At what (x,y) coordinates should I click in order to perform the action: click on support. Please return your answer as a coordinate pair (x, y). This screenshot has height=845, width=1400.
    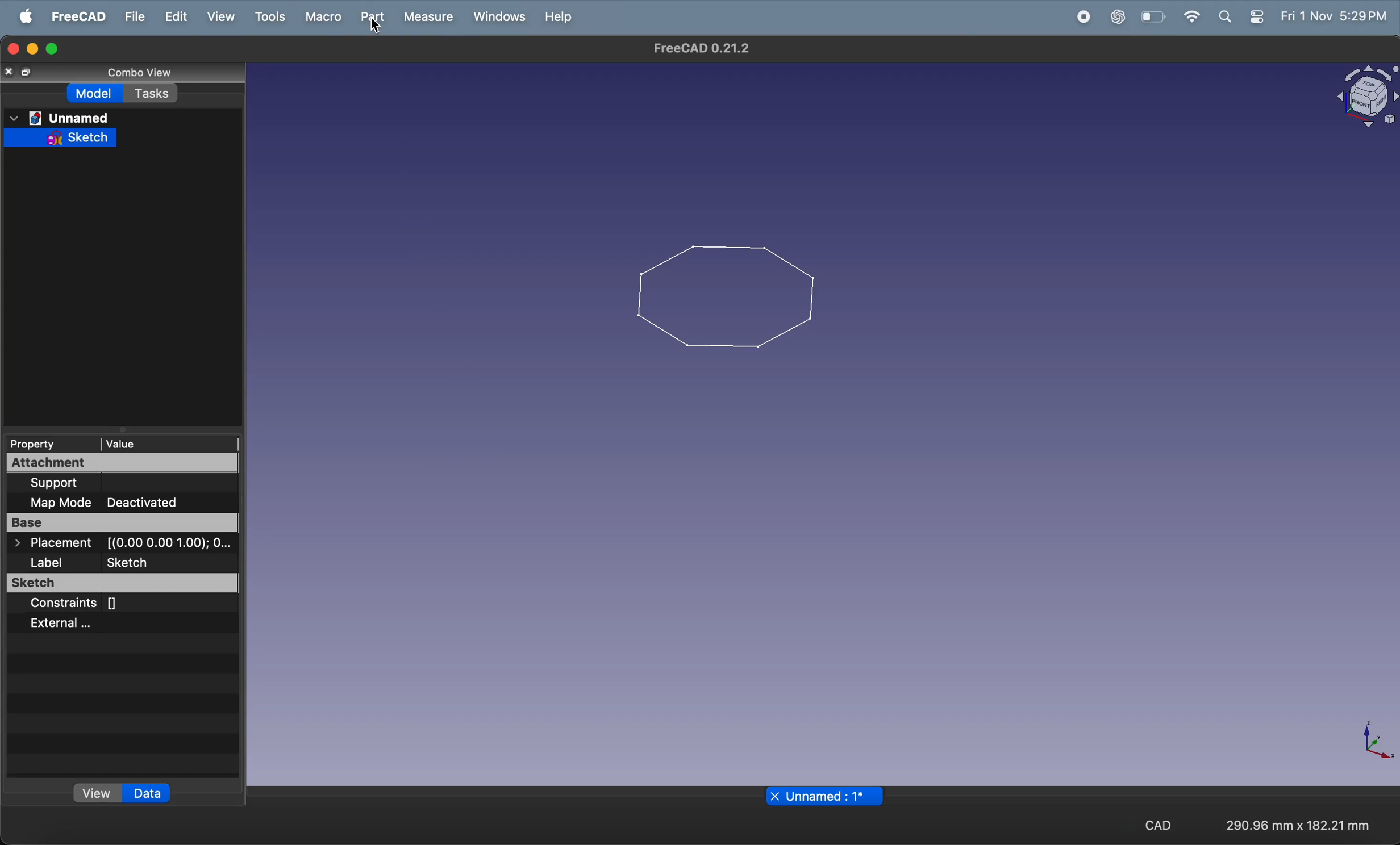
    Looking at the image, I should click on (84, 484).